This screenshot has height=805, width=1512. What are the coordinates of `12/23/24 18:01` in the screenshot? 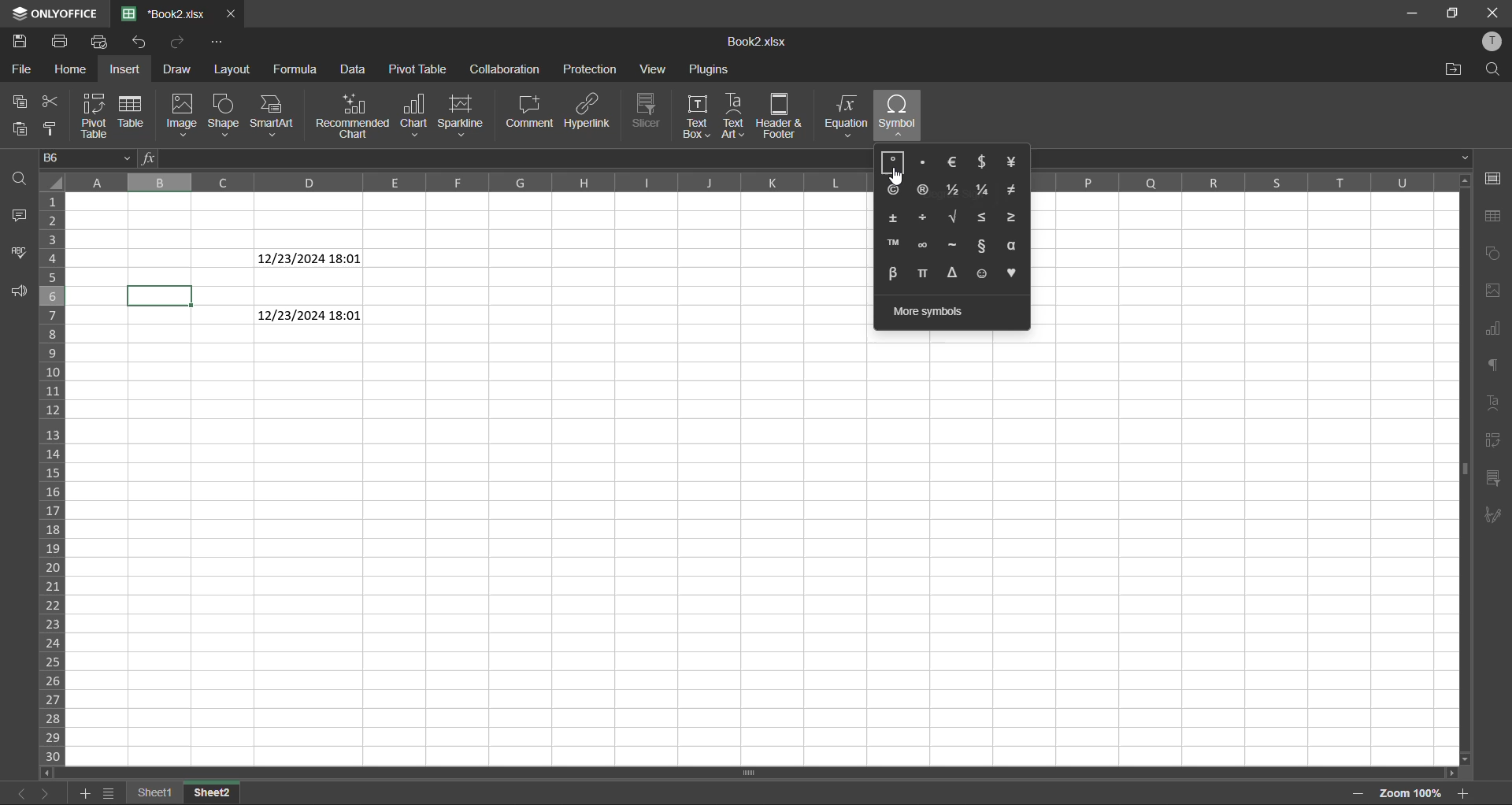 It's located at (309, 315).